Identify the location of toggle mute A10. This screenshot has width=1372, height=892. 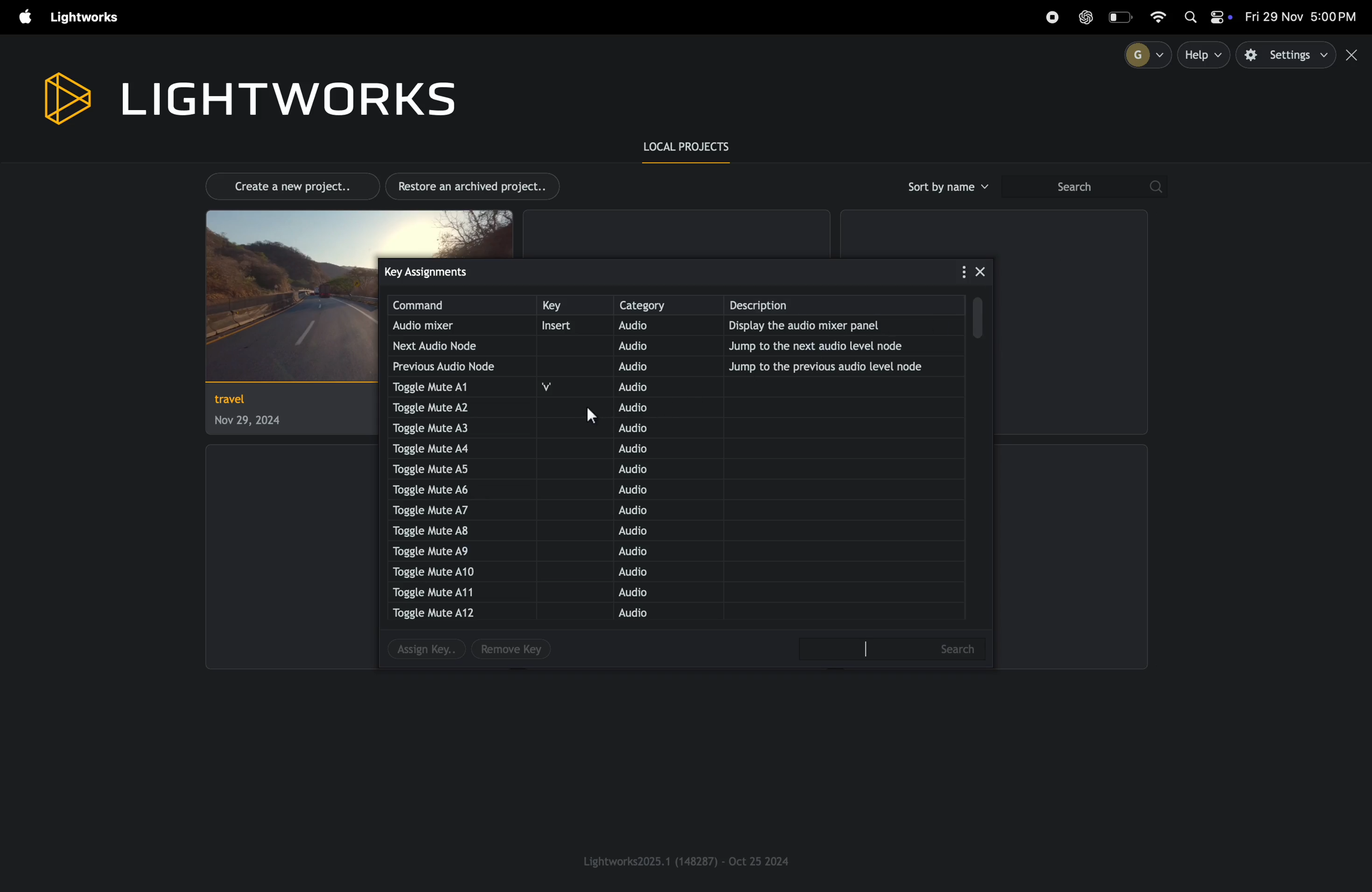
(435, 572).